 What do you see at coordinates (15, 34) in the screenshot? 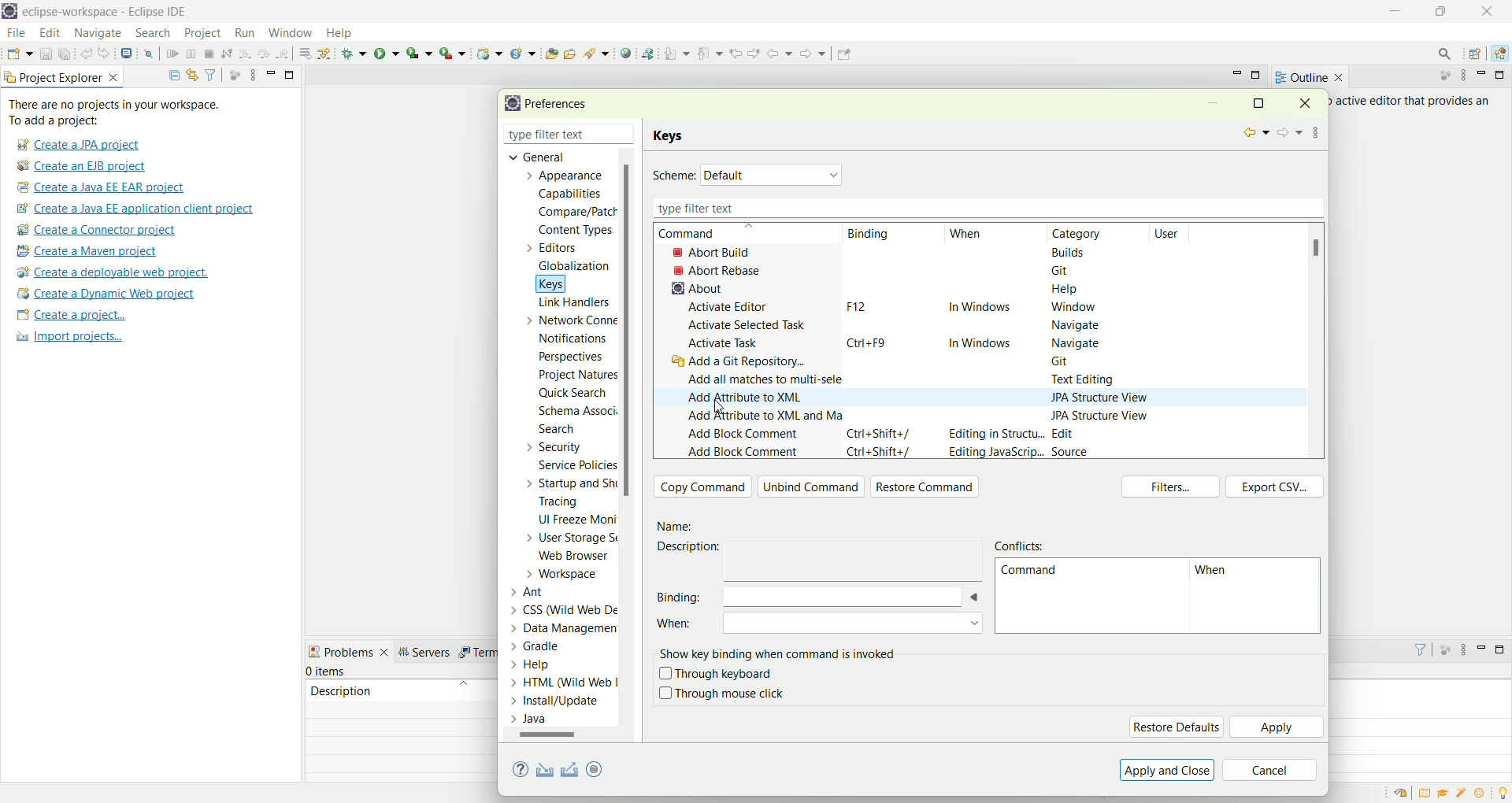
I see `file` at bounding box center [15, 34].